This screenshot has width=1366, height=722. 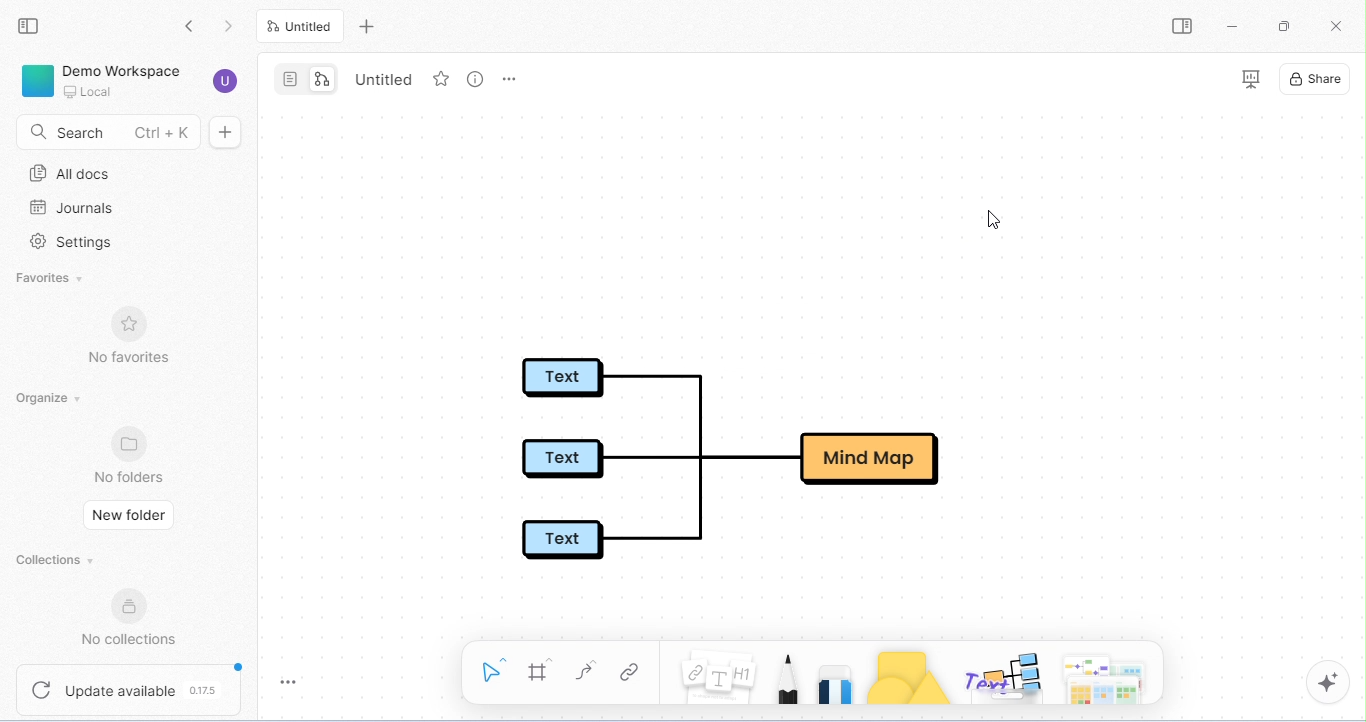 I want to click on settings, so click(x=73, y=241).